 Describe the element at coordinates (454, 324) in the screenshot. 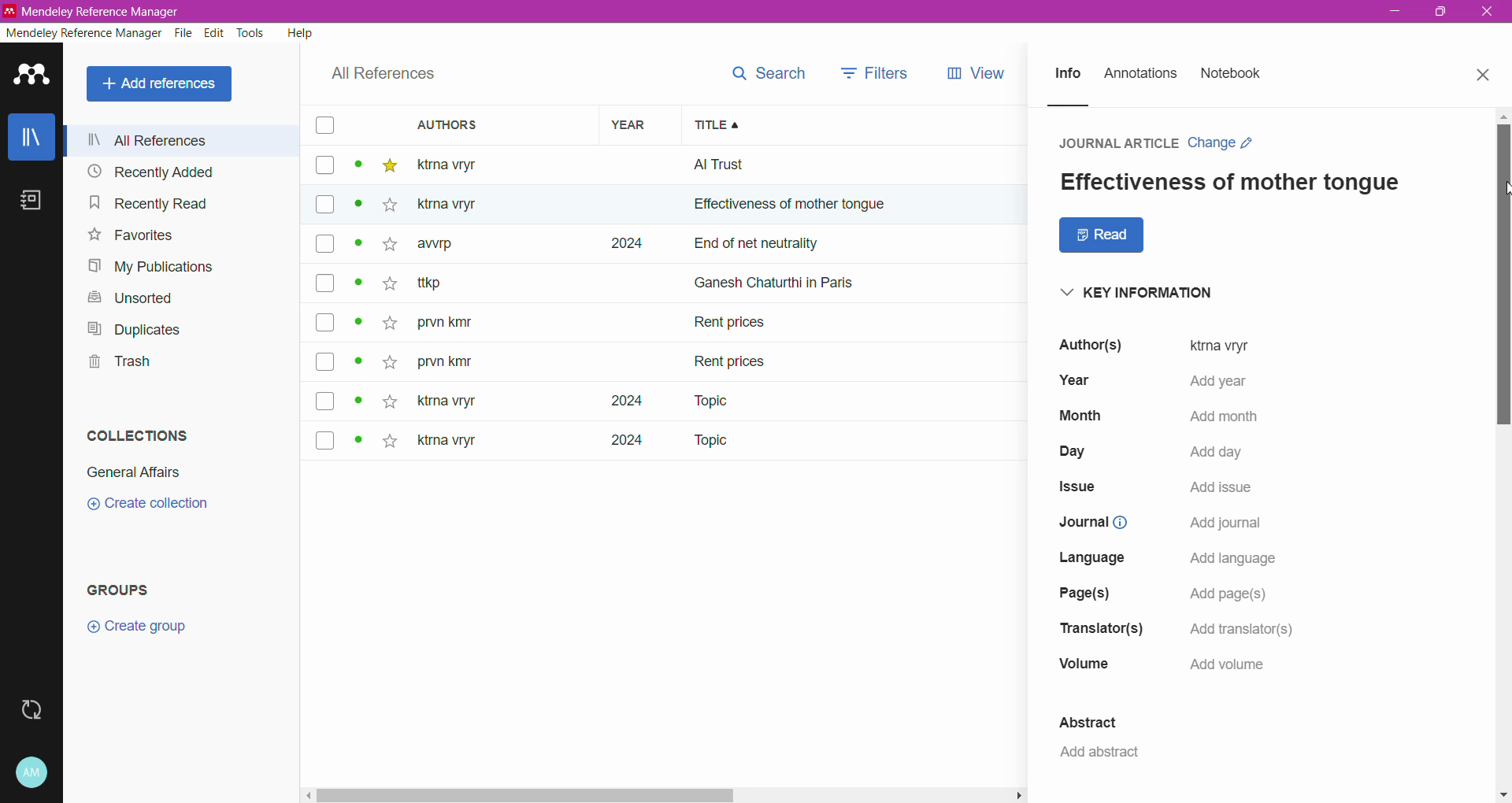

I see `prvn kity` at that location.